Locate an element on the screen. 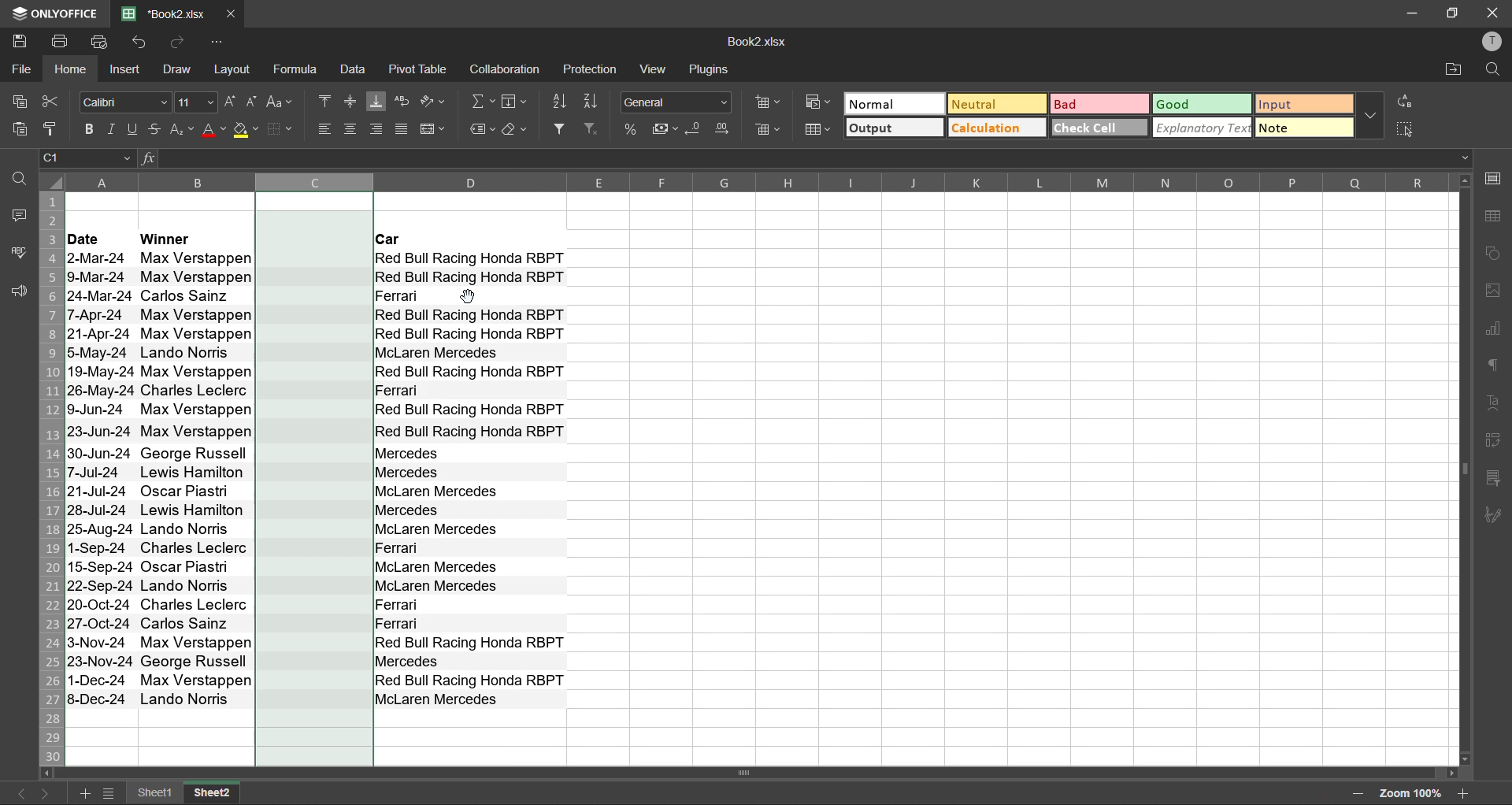  images is located at coordinates (1493, 293).